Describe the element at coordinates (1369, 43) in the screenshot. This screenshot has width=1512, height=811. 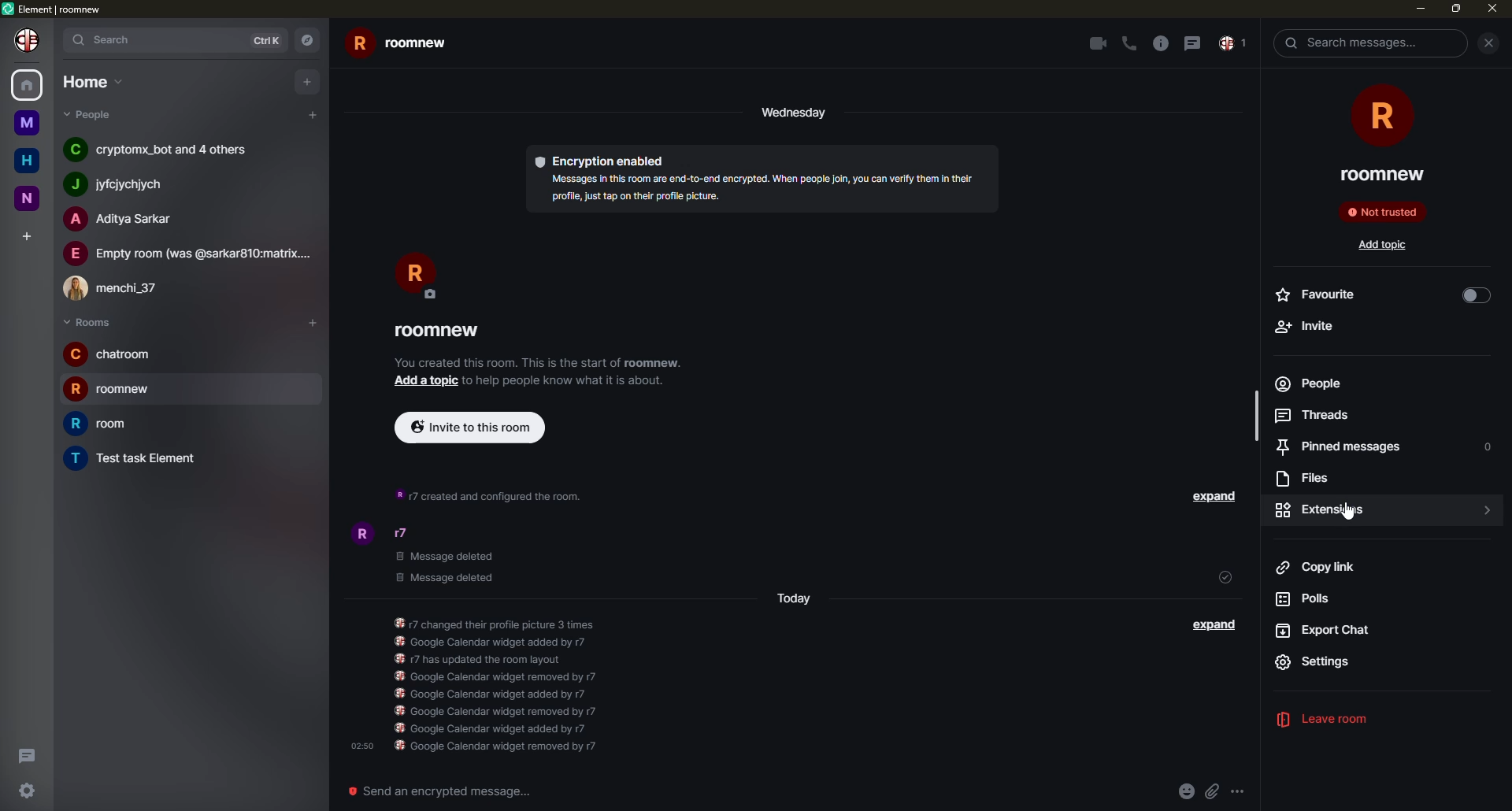
I see `search messsages` at that location.